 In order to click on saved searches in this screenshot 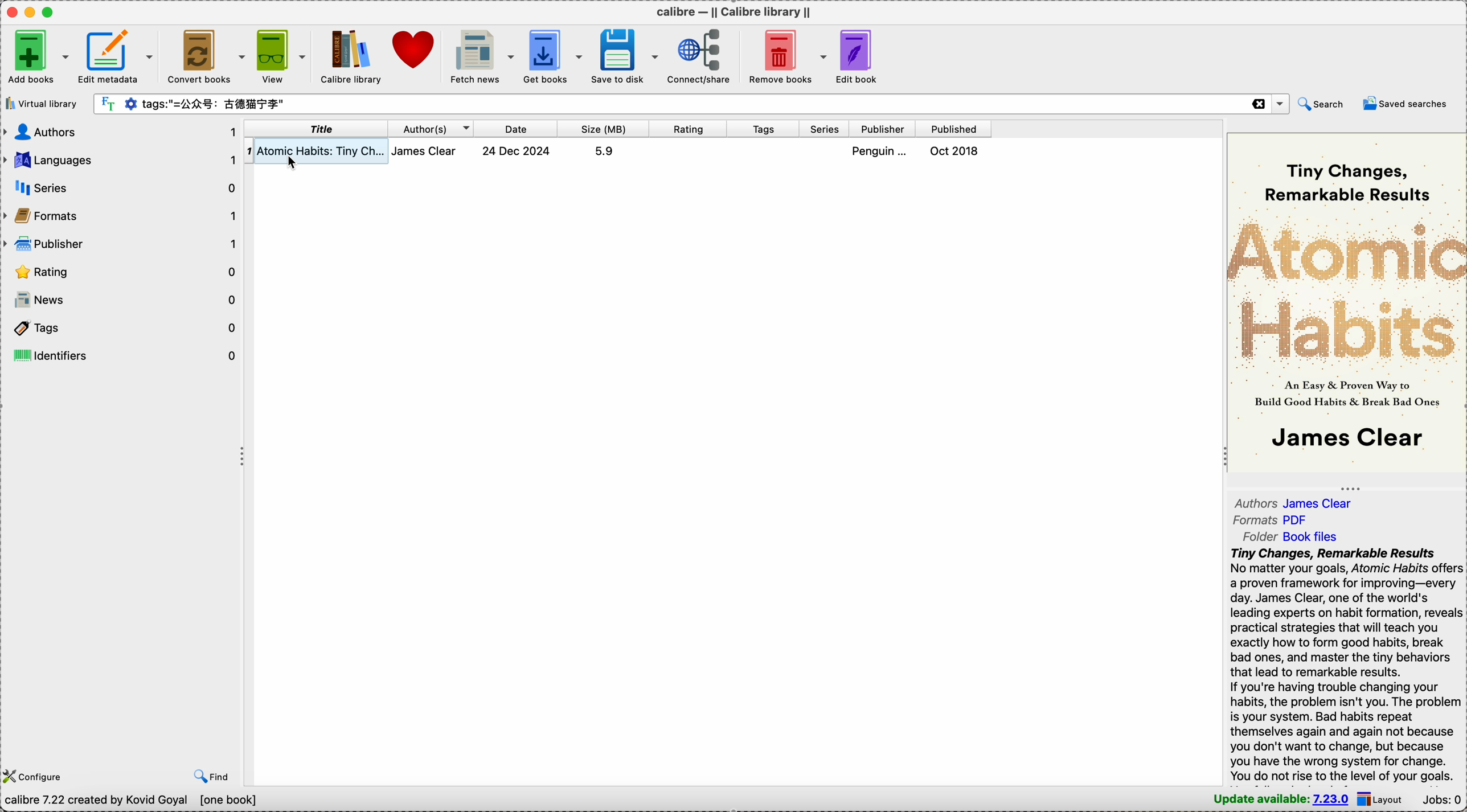, I will do `click(1408, 102)`.